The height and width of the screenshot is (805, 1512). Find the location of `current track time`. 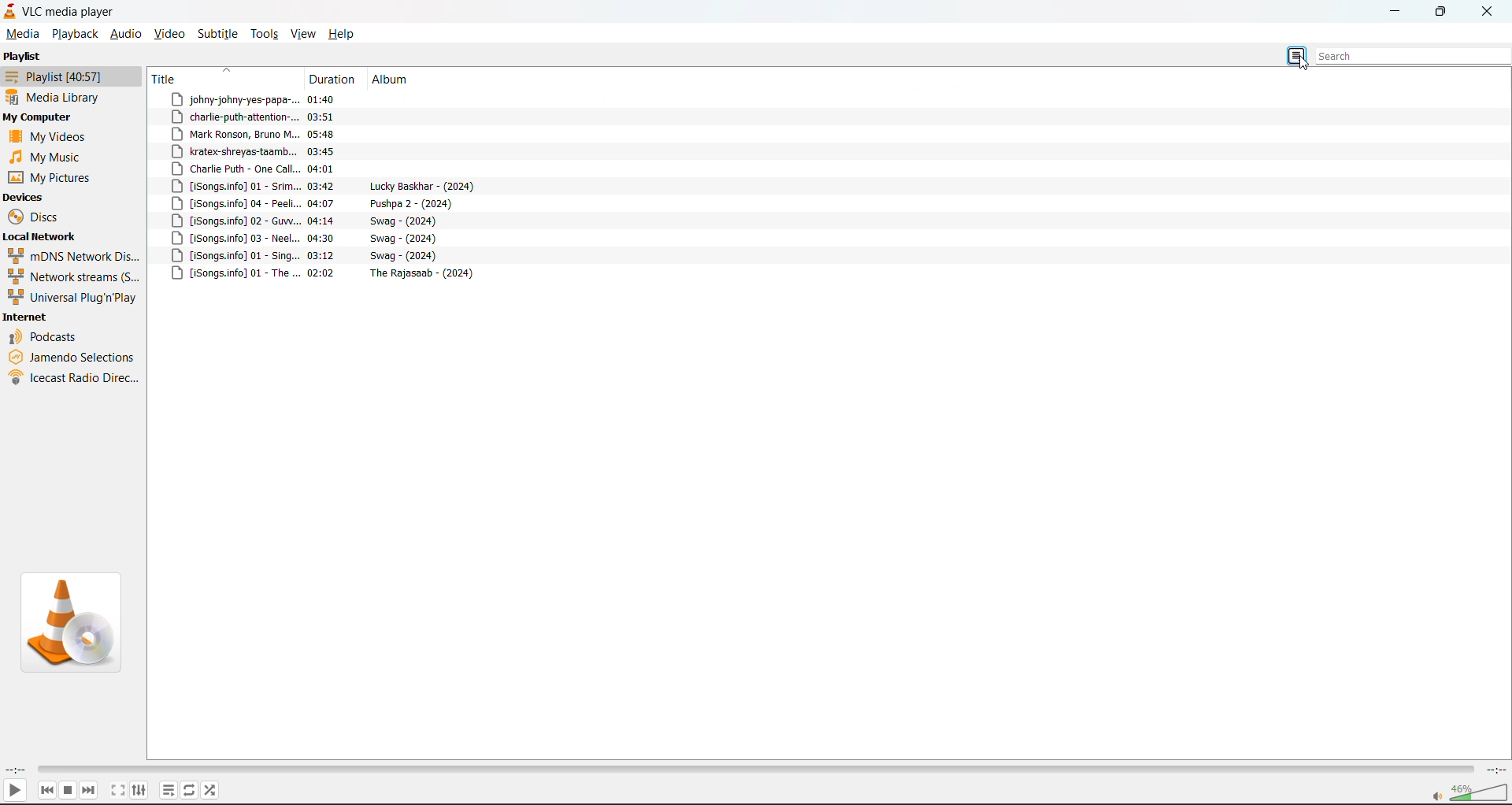

current track time is located at coordinates (15, 770).